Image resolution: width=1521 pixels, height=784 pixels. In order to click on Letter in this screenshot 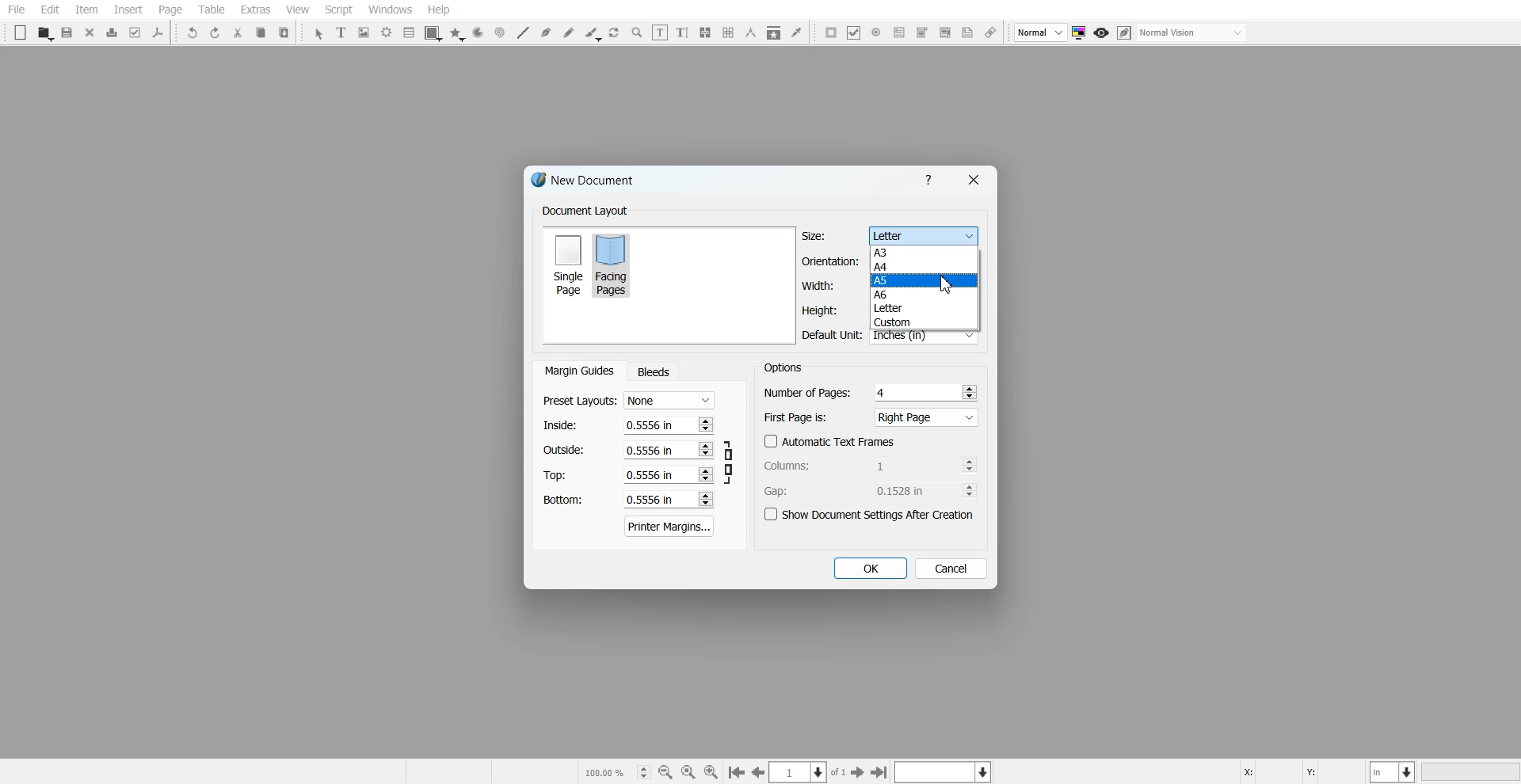, I will do `click(924, 309)`.